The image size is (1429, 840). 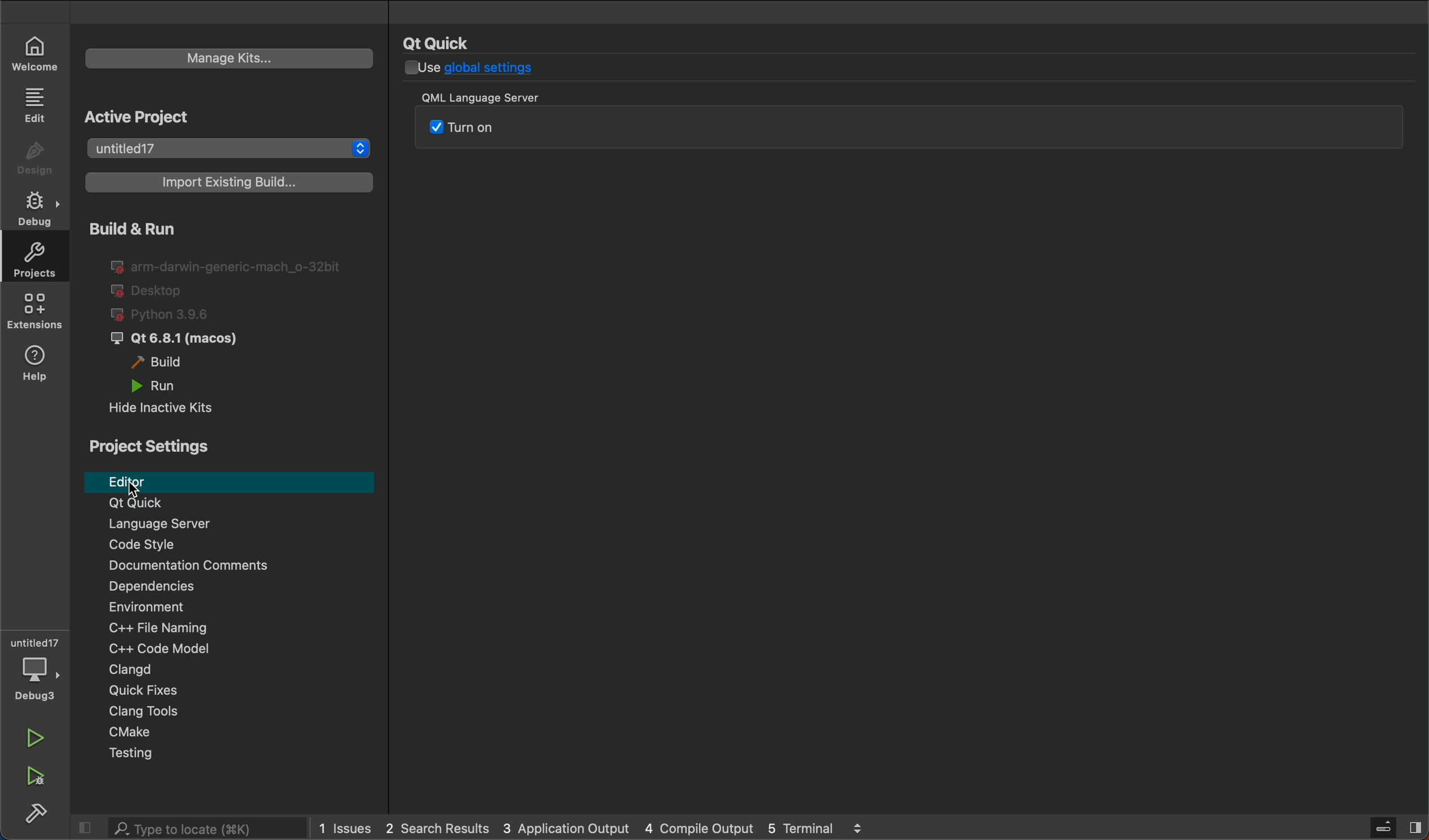 What do you see at coordinates (233, 692) in the screenshot?
I see `Quick fixes` at bounding box center [233, 692].